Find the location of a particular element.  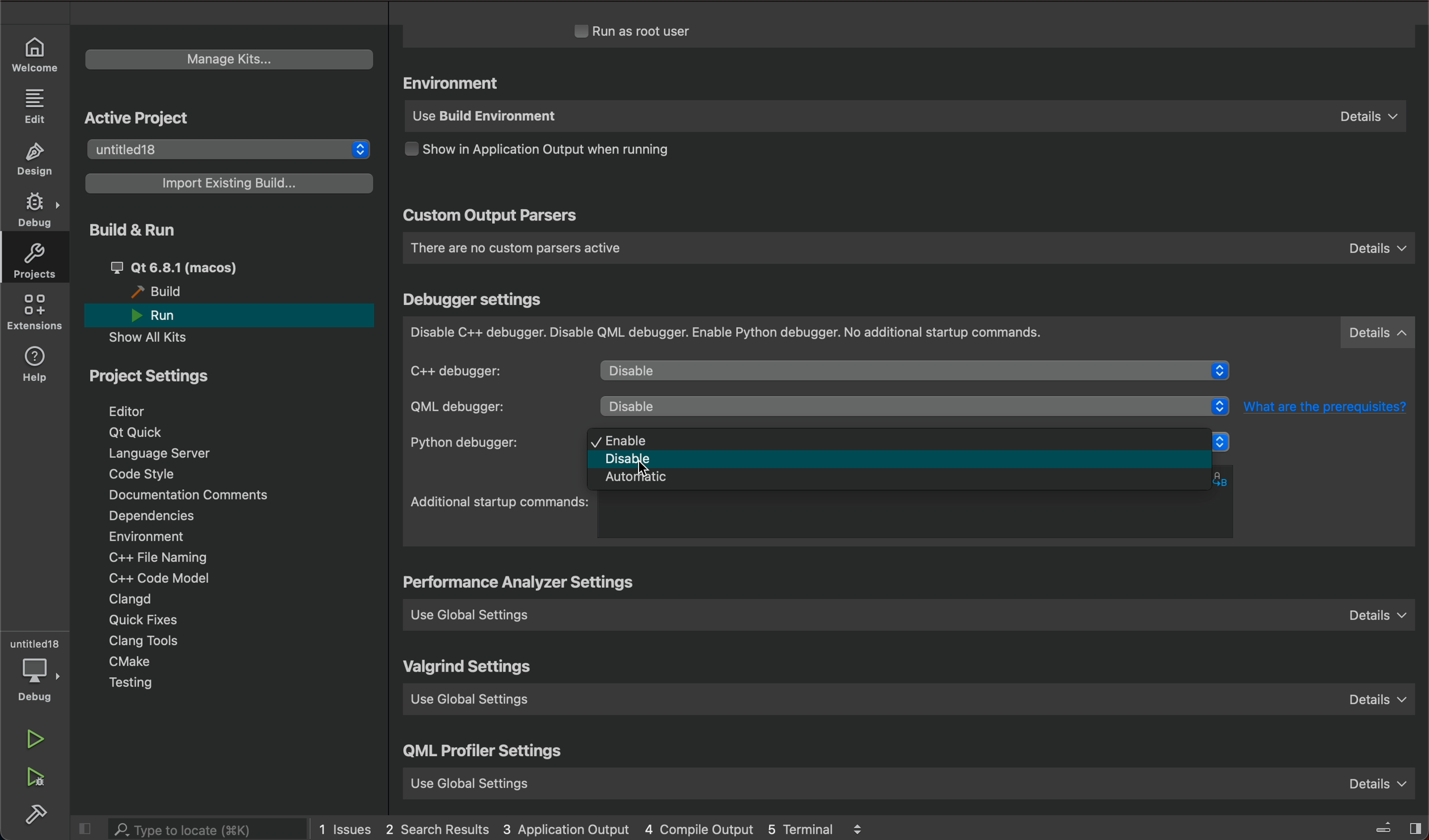

extensions is located at coordinates (37, 315).